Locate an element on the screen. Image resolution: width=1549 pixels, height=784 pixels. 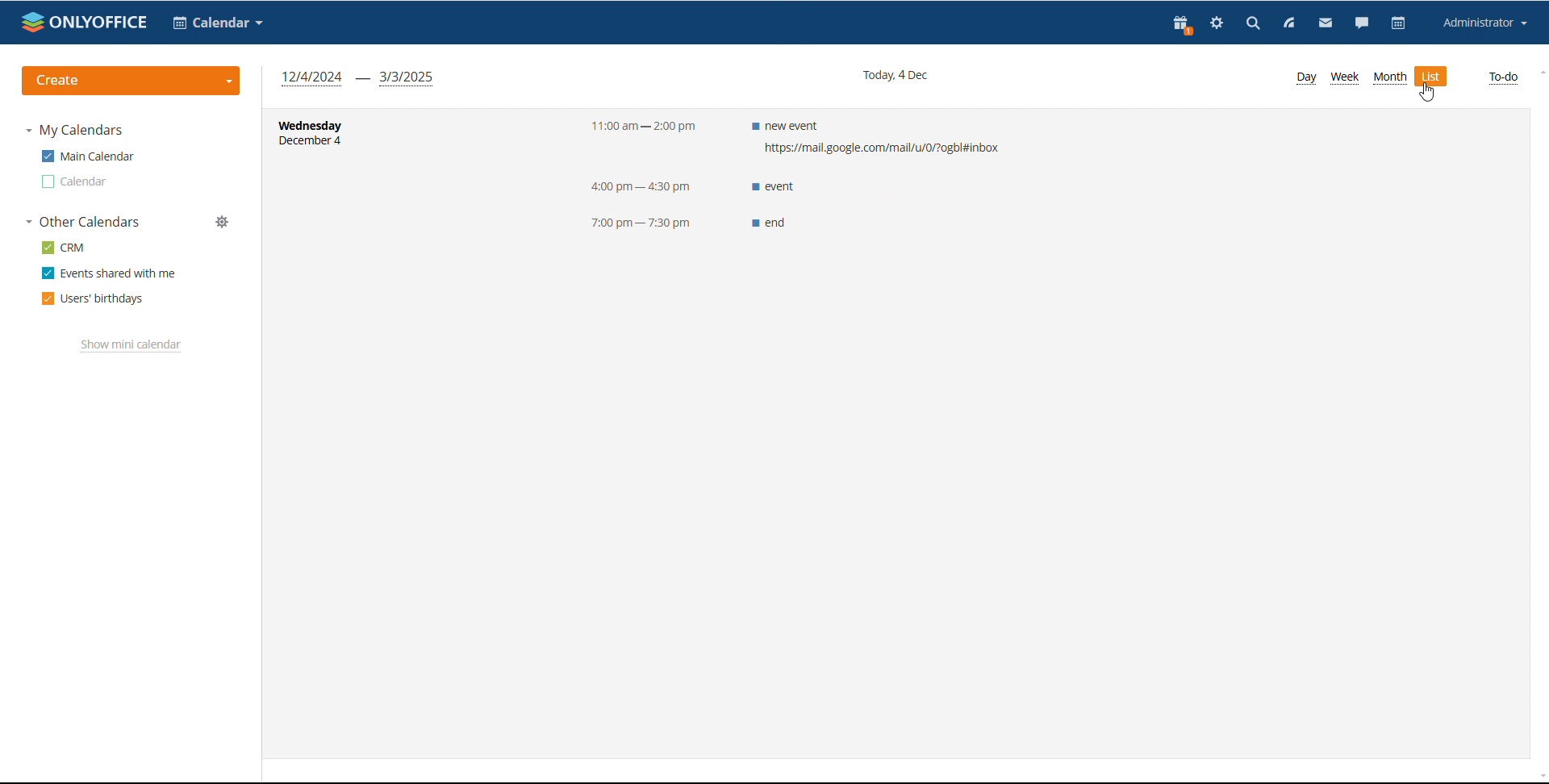
current date is located at coordinates (893, 74).